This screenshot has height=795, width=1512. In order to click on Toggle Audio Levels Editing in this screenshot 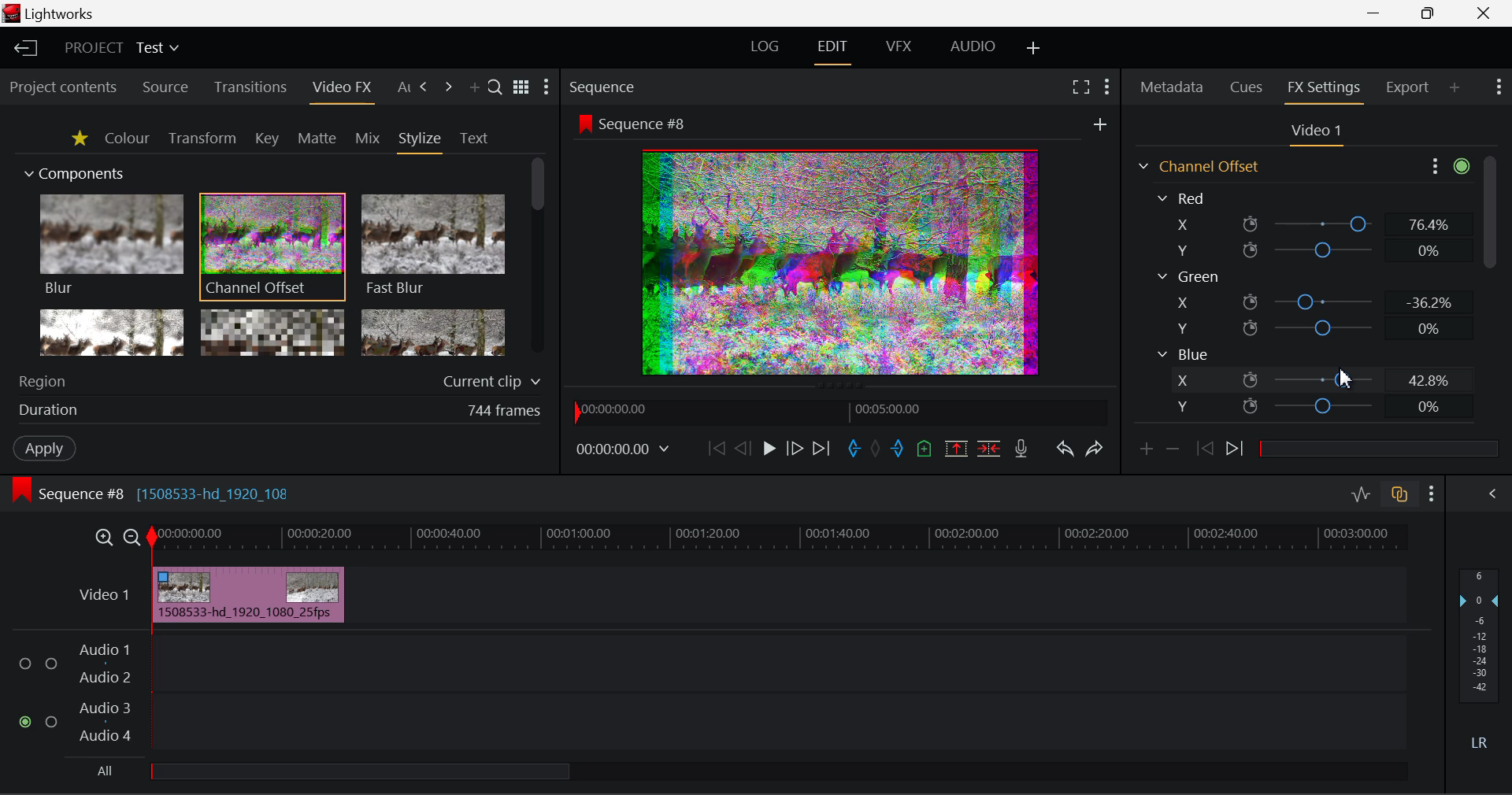, I will do `click(1362, 495)`.